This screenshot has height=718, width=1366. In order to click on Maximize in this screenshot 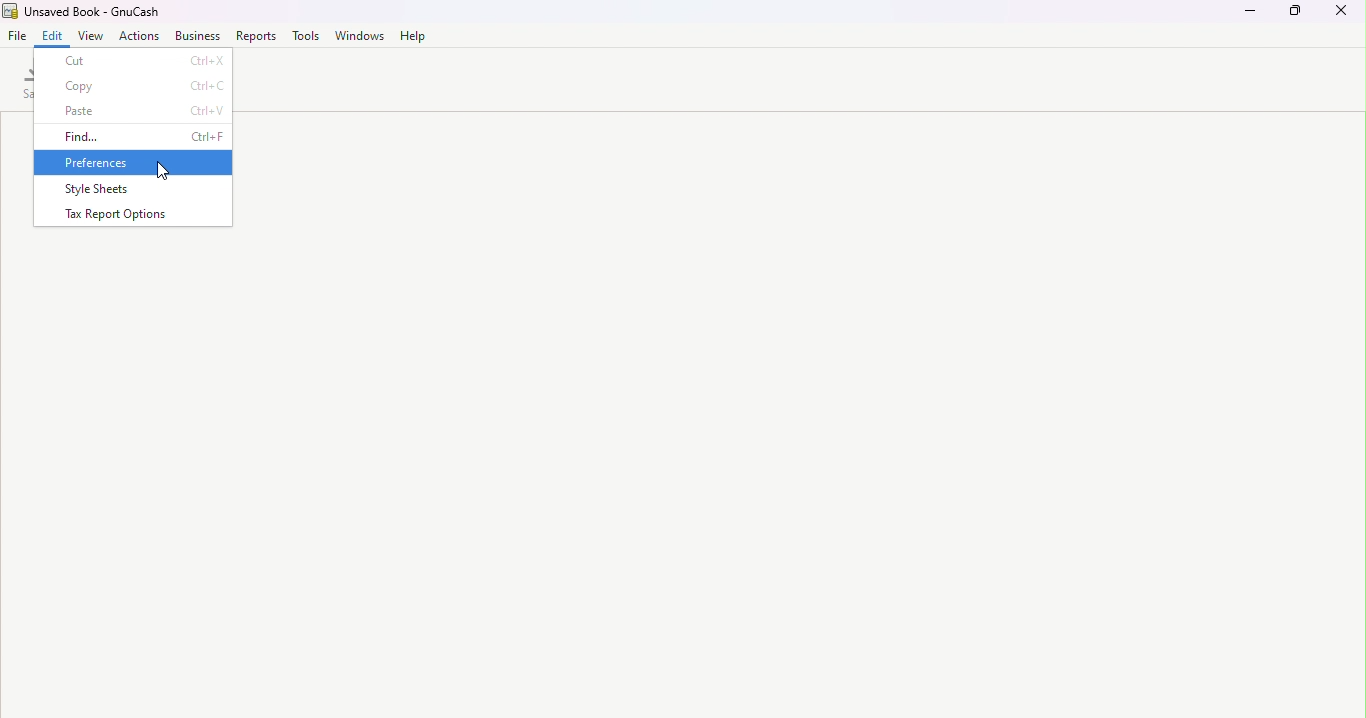, I will do `click(1295, 17)`.